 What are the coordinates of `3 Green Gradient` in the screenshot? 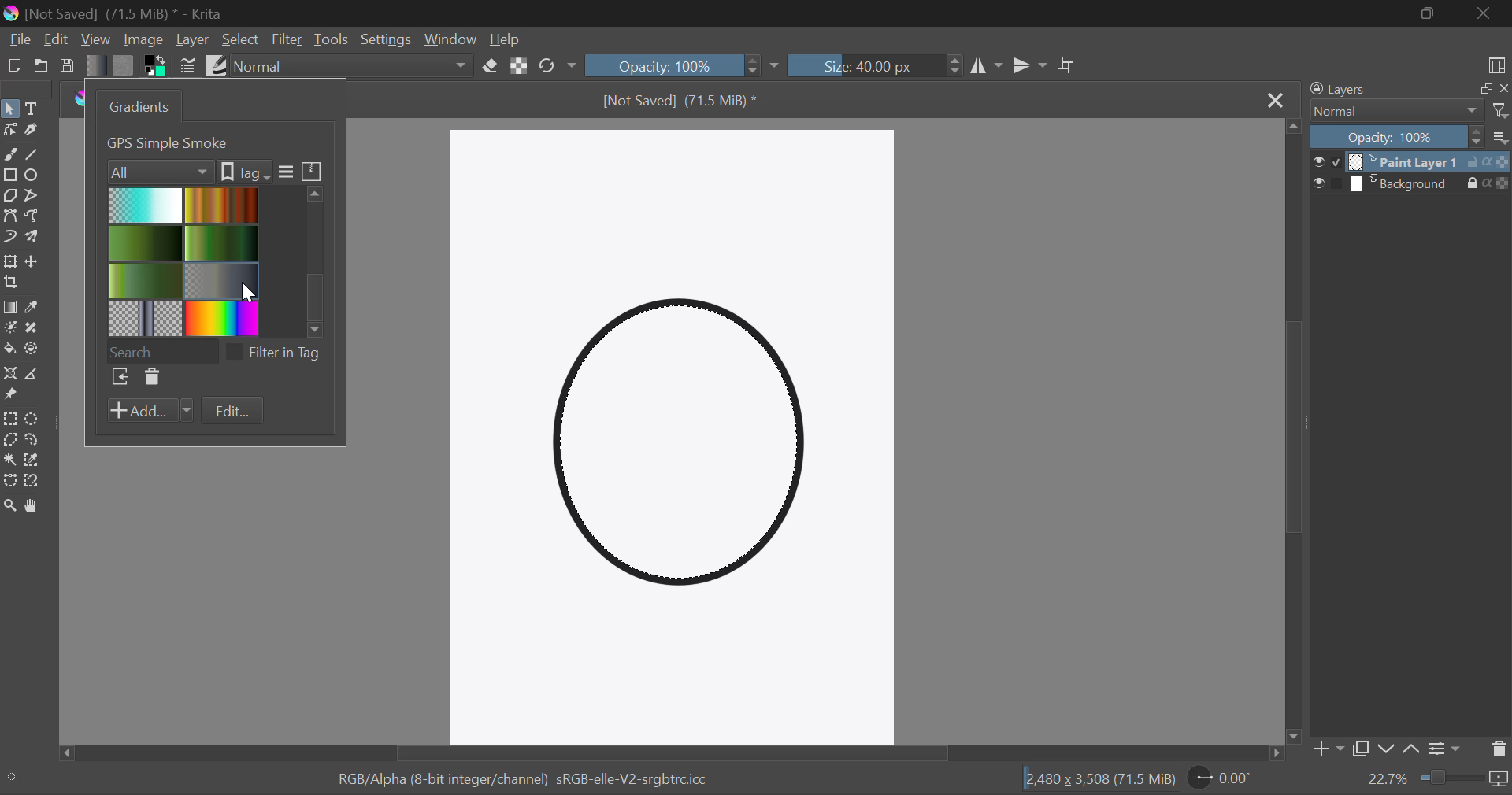 It's located at (147, 281).